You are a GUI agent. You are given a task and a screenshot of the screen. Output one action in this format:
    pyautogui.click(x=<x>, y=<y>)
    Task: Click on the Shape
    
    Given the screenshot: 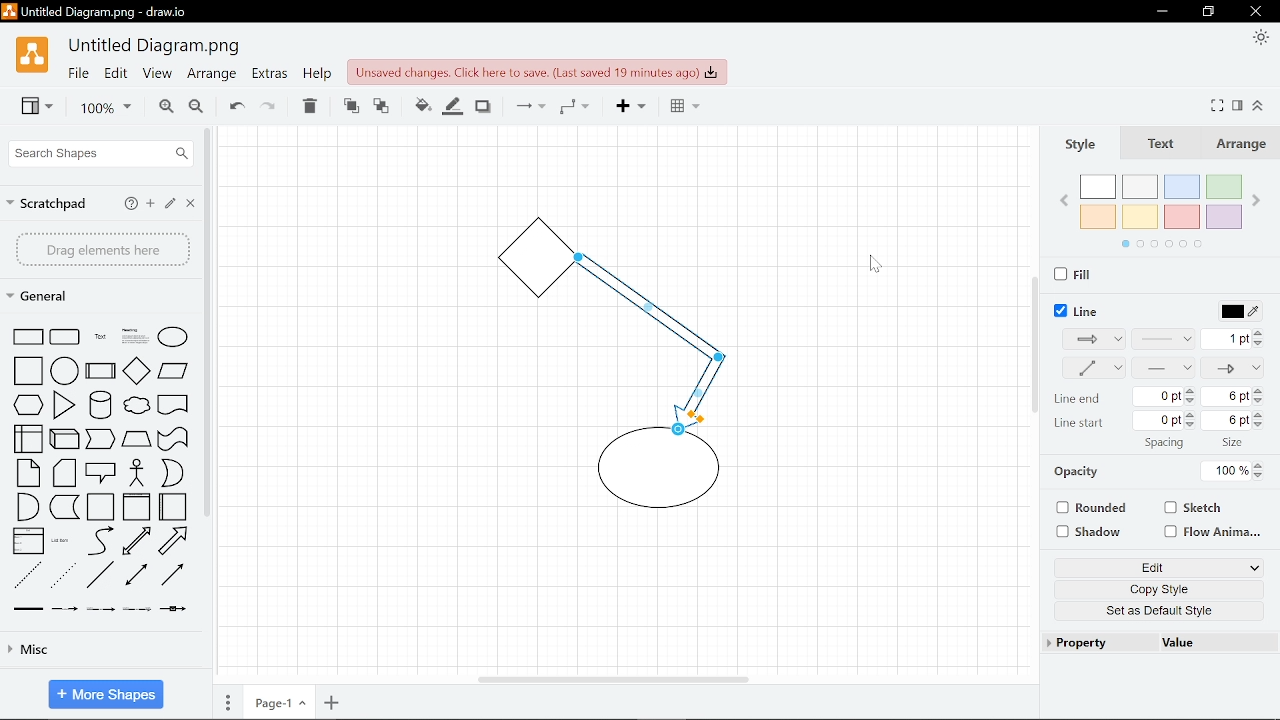 What is the action you would take?
    pyautogui.click(x=25, y=336)
    